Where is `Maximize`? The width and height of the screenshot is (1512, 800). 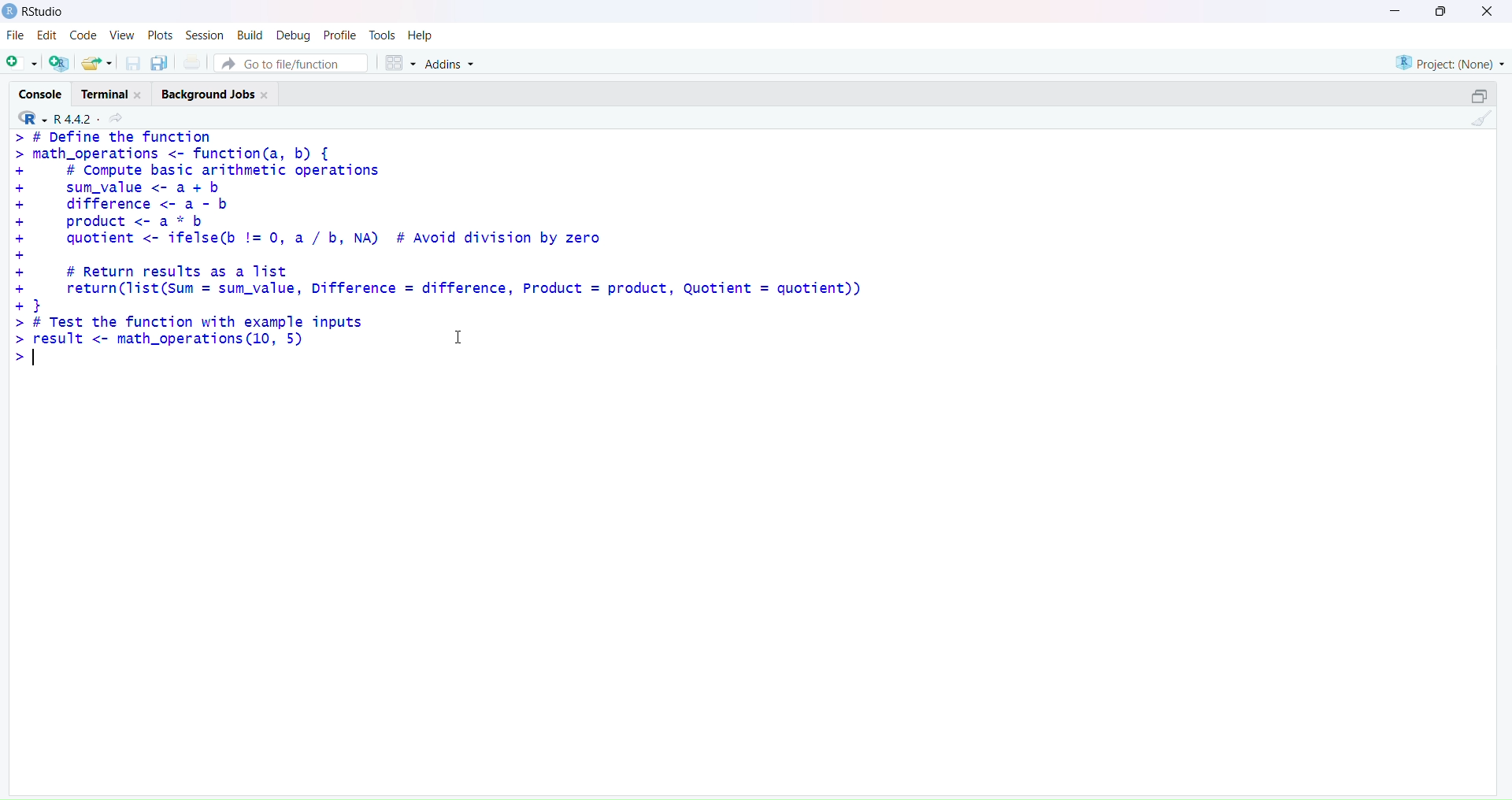
Maximize is located at coordinates (1479, 93).